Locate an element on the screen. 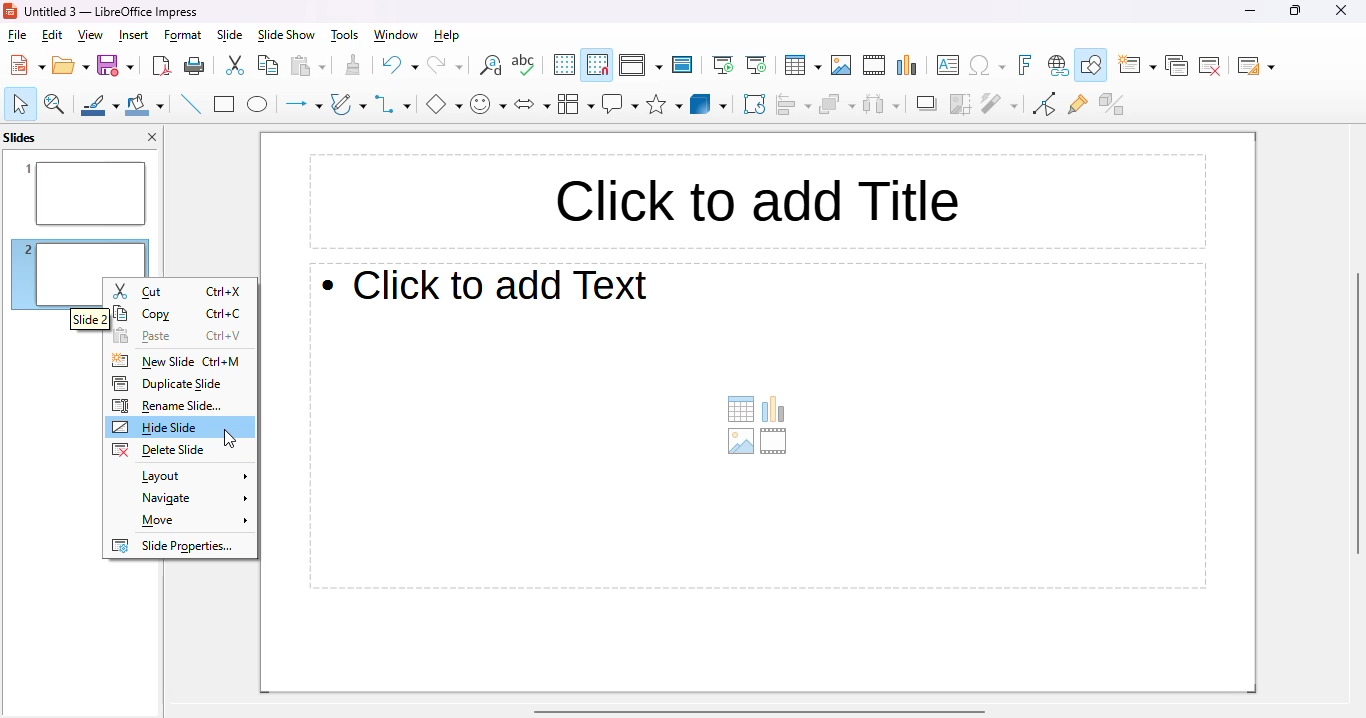 The width and height of the screenshot is (1366, 718). flowchart is located at coordinates (576, 105).